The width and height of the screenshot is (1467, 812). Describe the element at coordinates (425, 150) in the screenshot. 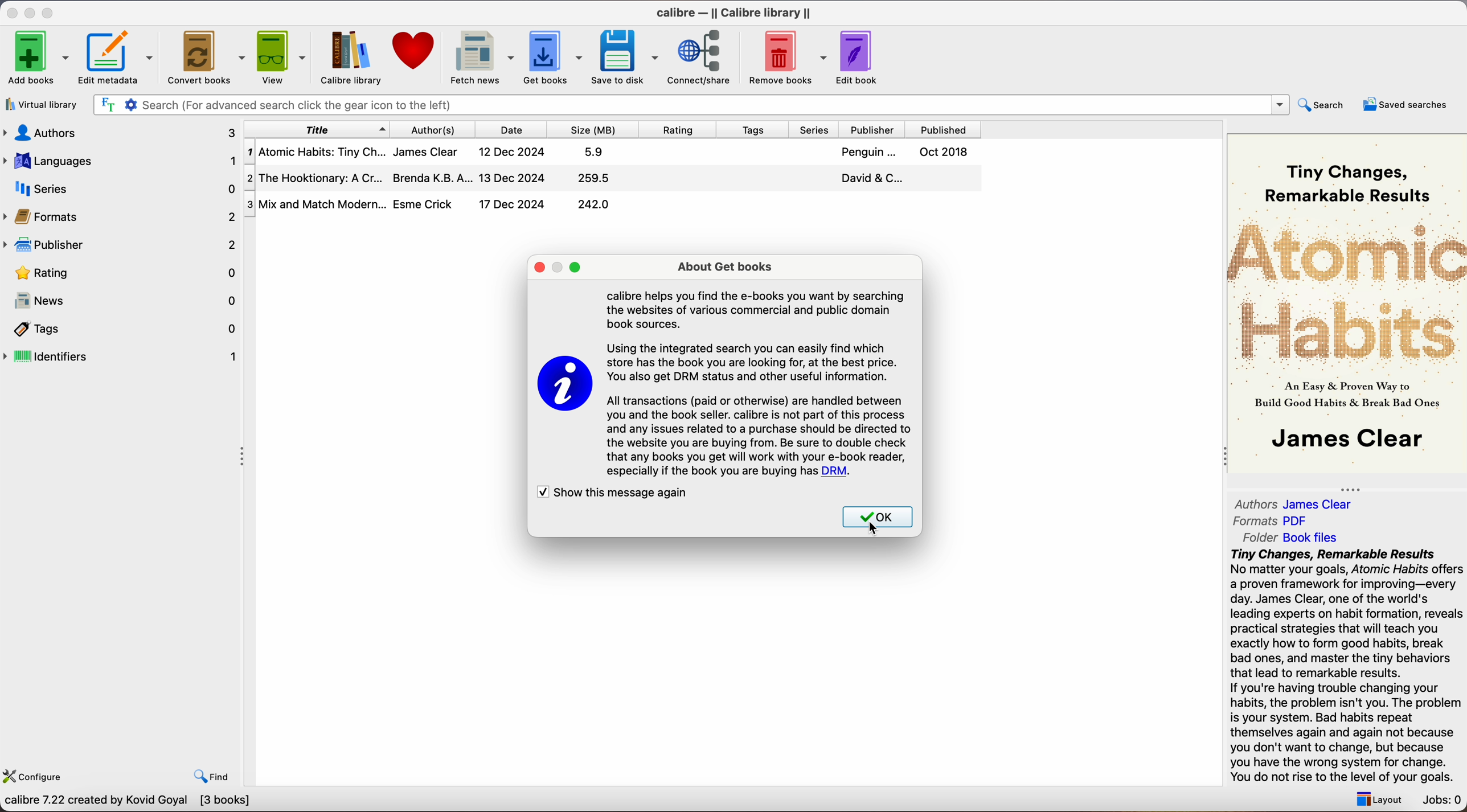

I see `James Clear` at that location.